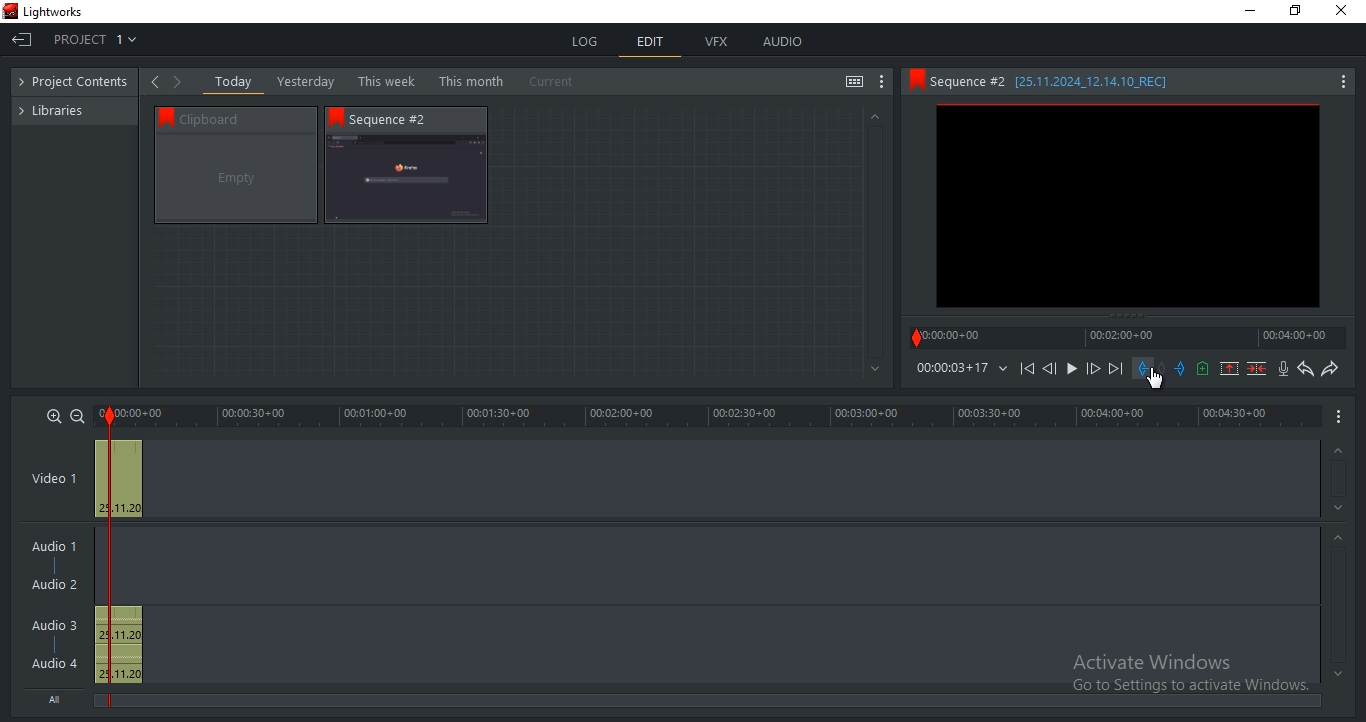 The width and height of the screenshot is (1366, 722). Describe the element at coordinates (651, 44) in the screenshot. I see `edit` at that location.